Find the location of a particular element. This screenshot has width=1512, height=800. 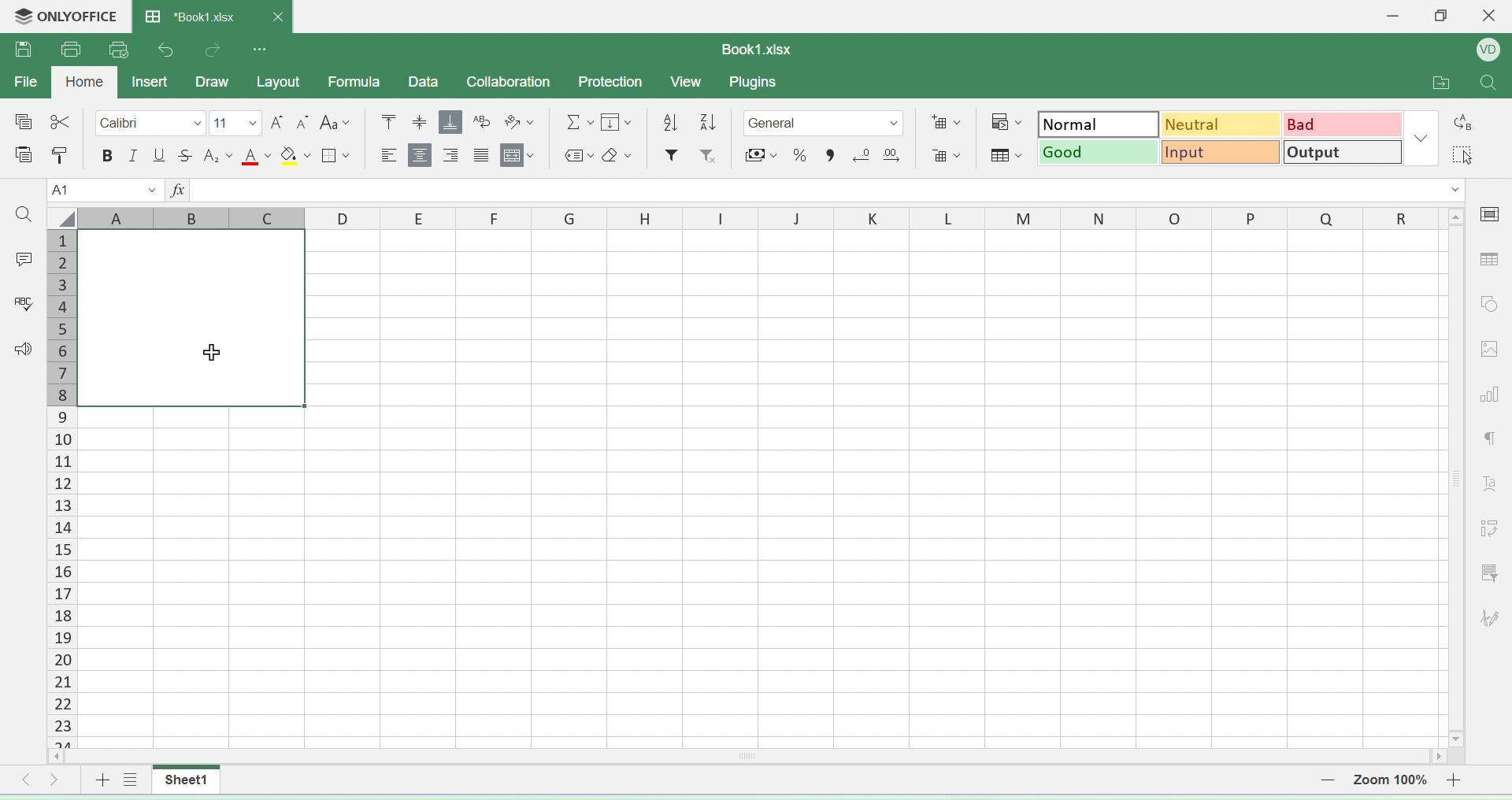

border is located at coordinates (336, 157).